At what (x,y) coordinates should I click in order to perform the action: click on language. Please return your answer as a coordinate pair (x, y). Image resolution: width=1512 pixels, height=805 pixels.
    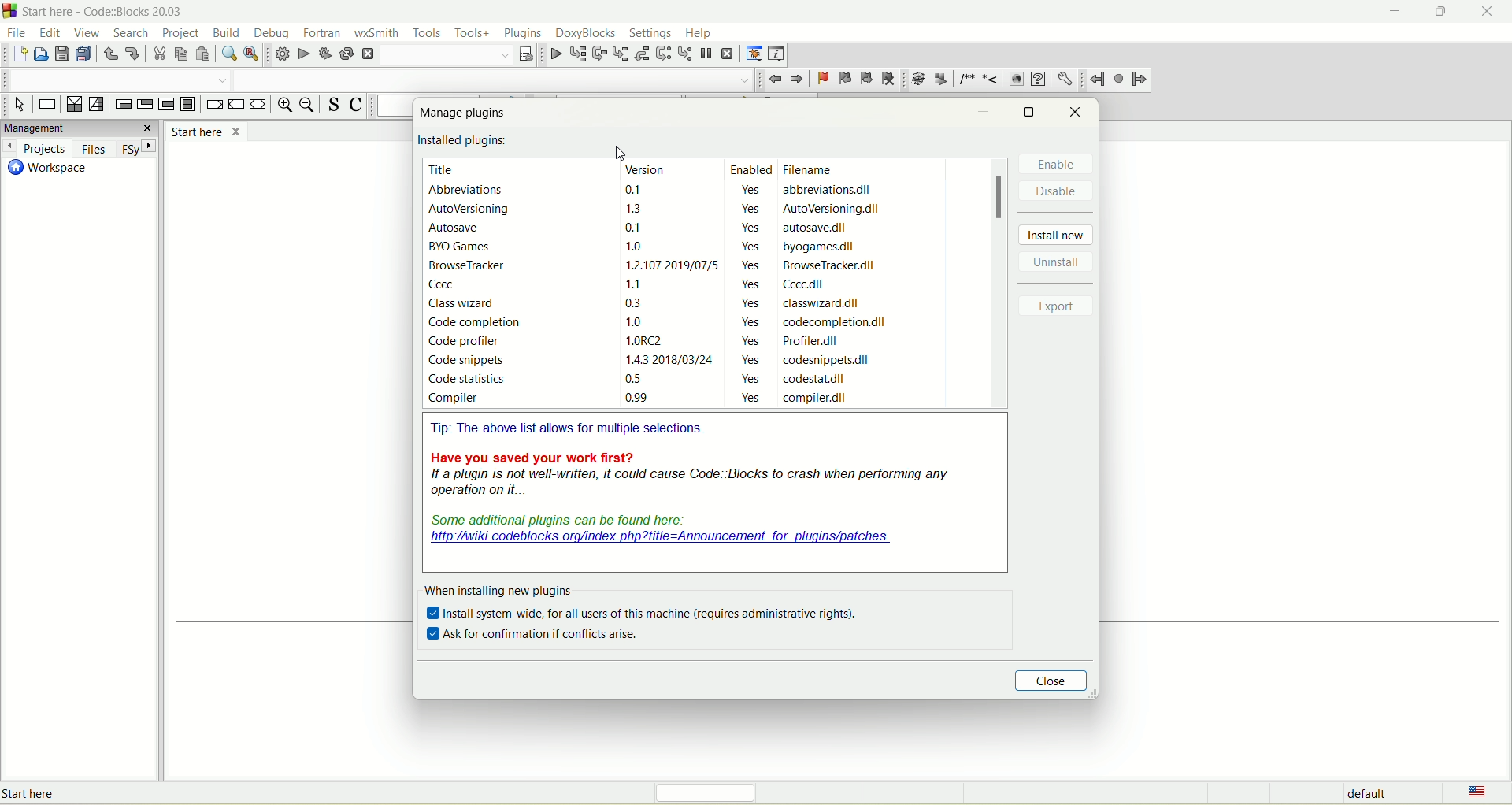
    Looking at the image, I should click on (1471, 793).